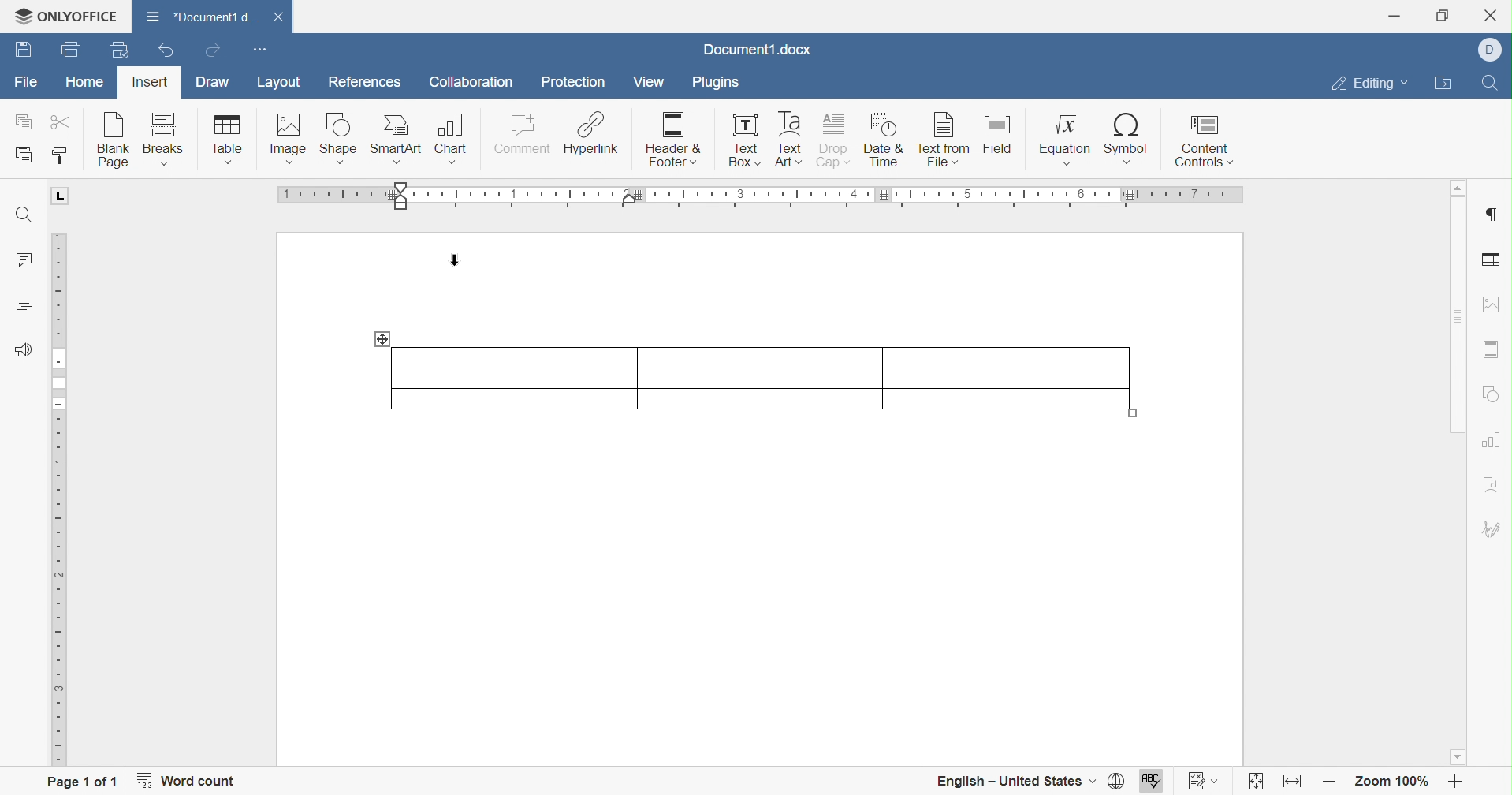 The width and height of the screenshot is (1512, 795). What do you see at coordinates (744, 142) in the screenshot?
I see `Text box` at bounding box center [744, 142].